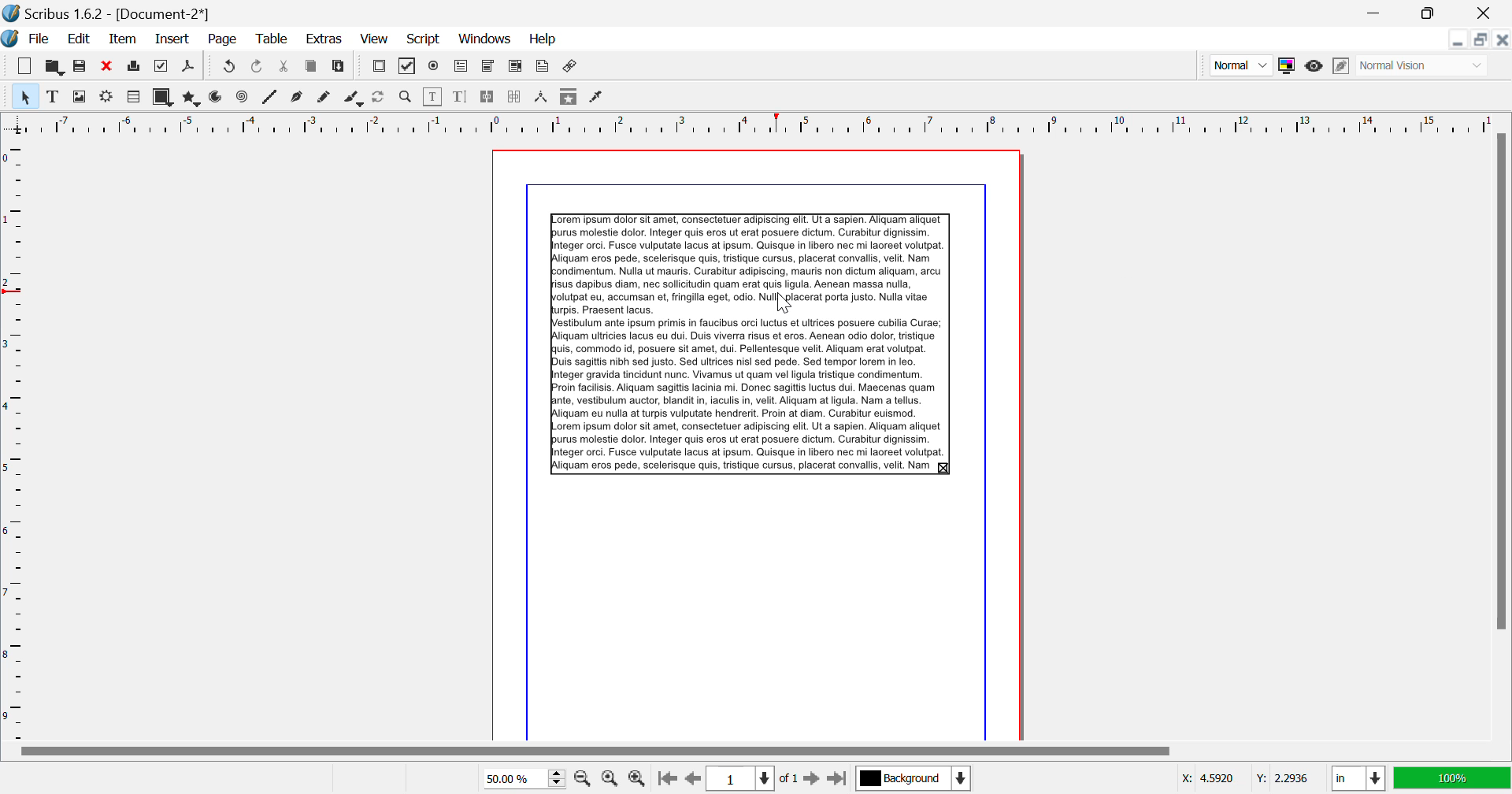  I want to click on Previous Page, so click(691, 779).